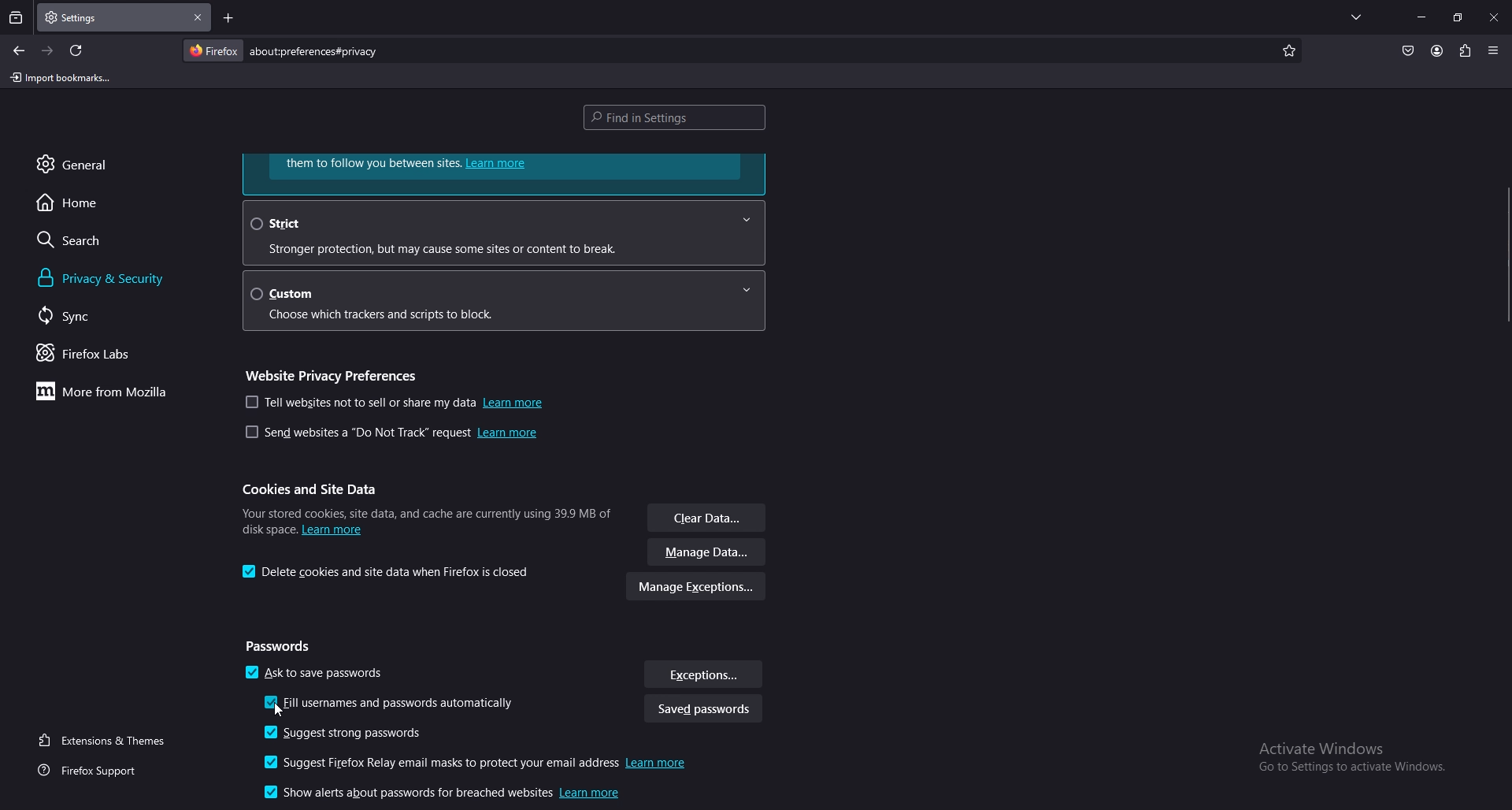 The image size is (1512, 810). What do you see at coordinates (702, 711) in the screenshot?
I see `saved password` at bounding box center [702, 711].